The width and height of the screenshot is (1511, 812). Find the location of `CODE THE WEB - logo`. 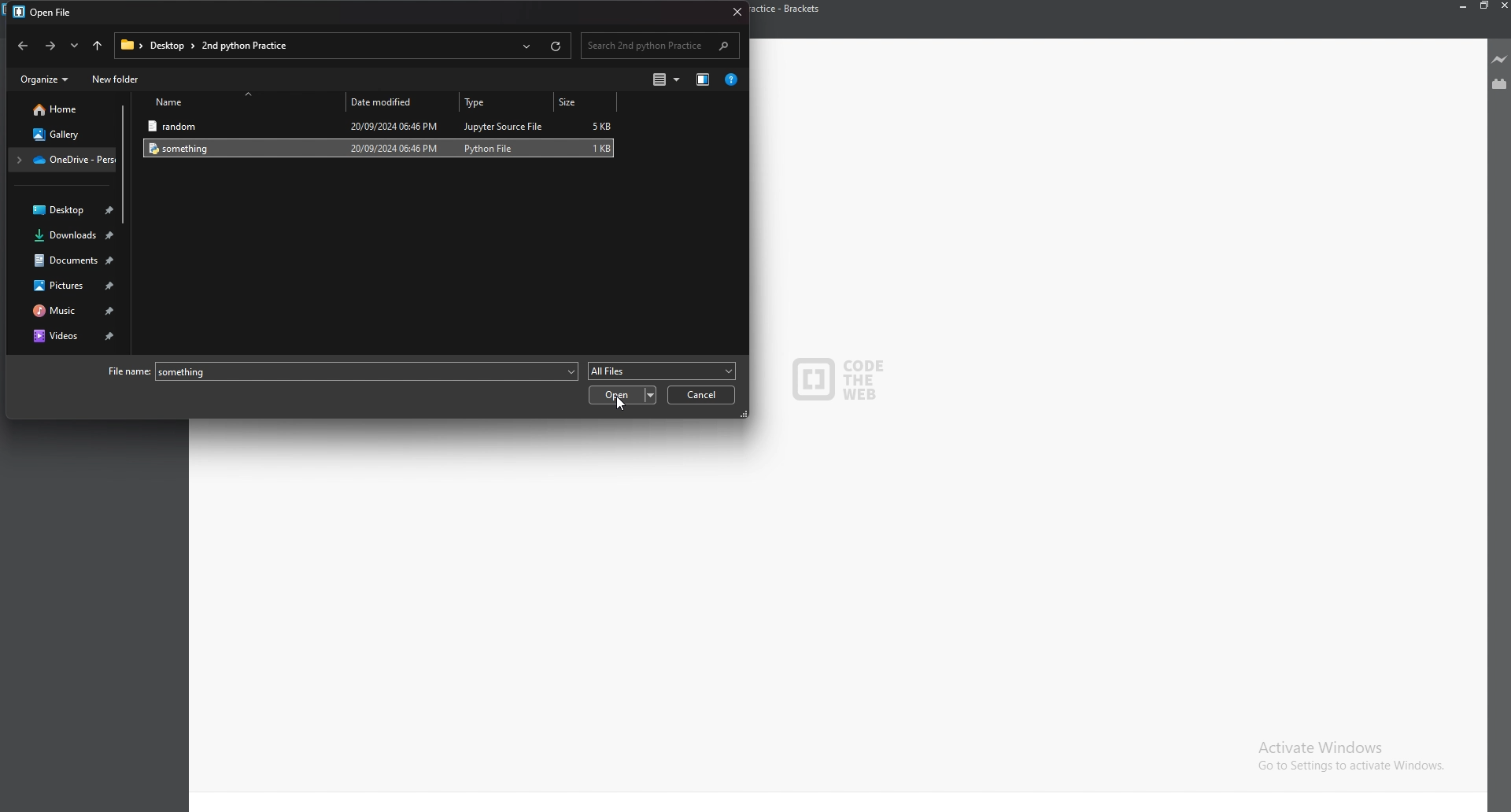

CODE THE WEB - logo is located at coordinates (839, 380).